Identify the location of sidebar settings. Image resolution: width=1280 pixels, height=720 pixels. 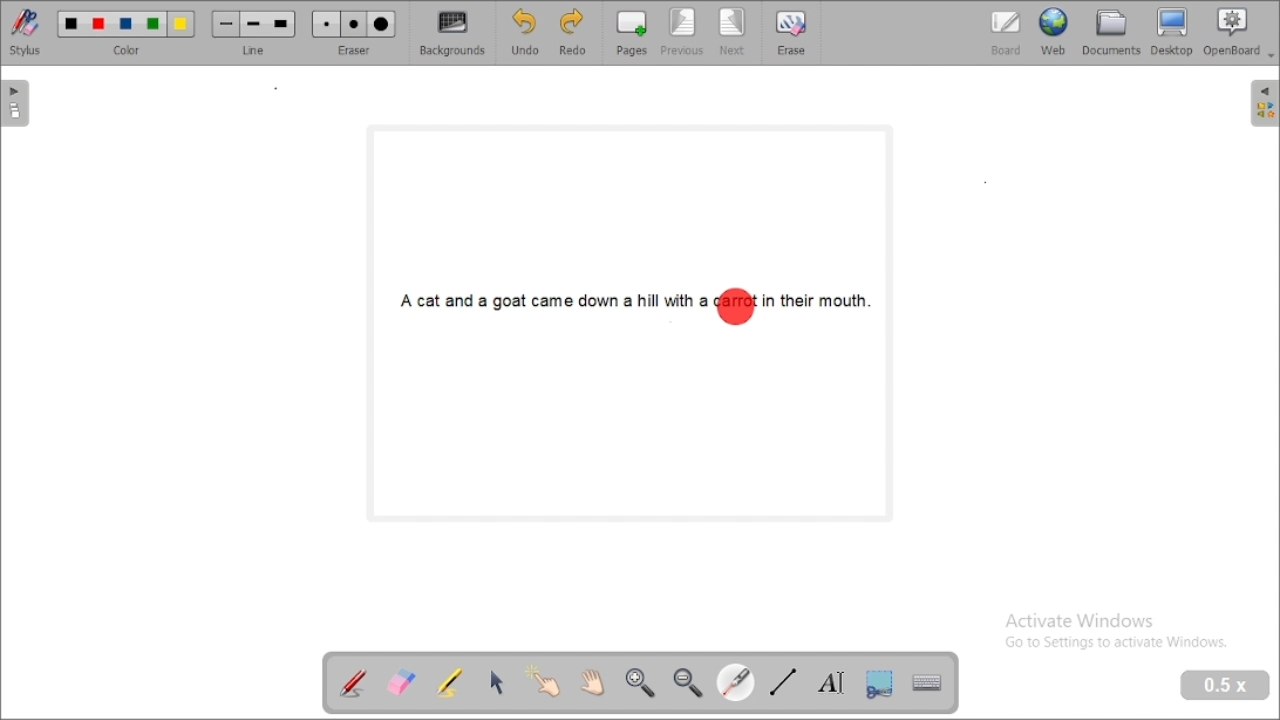
(1263, 104).